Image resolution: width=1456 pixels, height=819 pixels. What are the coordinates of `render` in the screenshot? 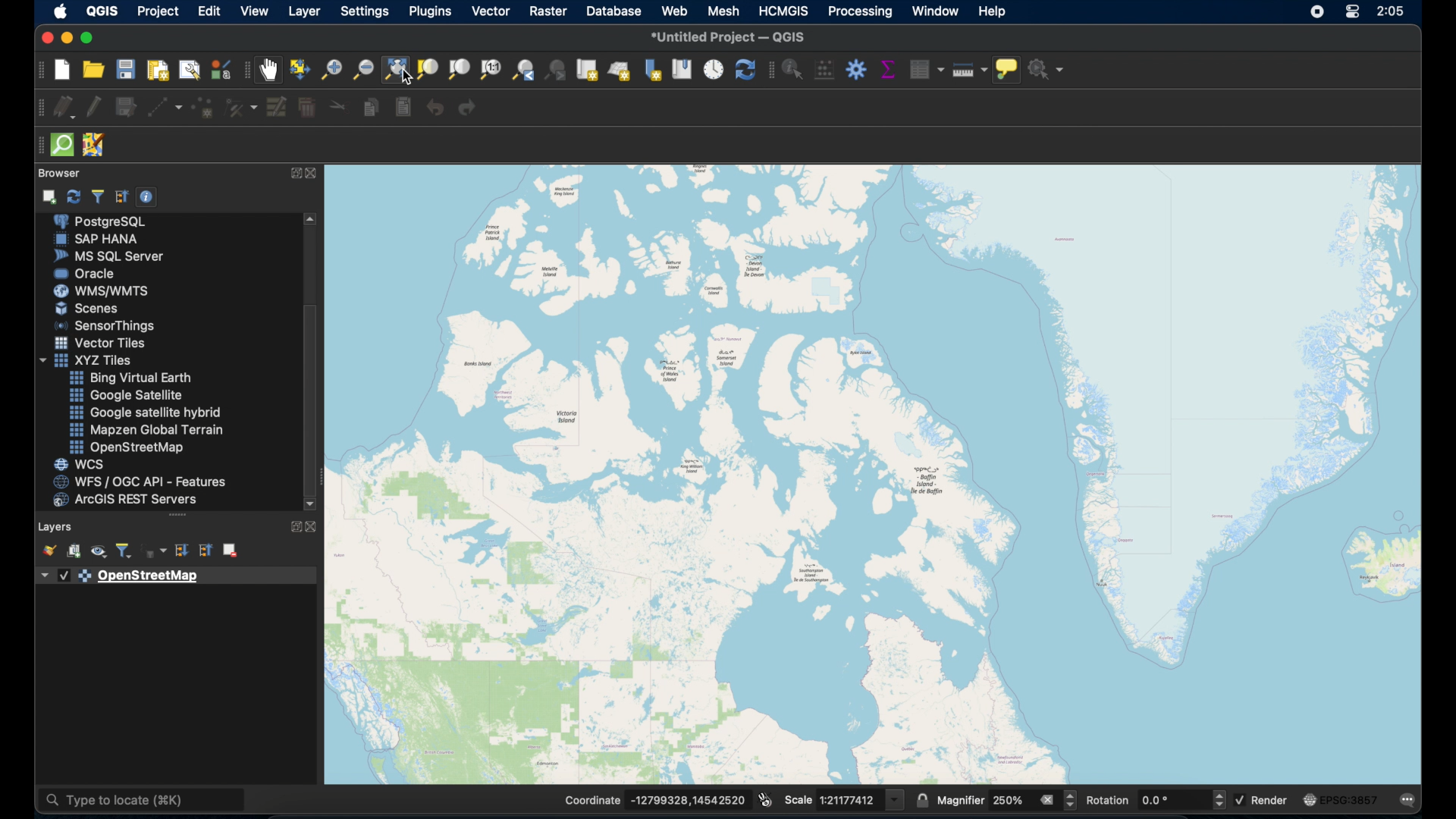 It's located at (1271, 799).